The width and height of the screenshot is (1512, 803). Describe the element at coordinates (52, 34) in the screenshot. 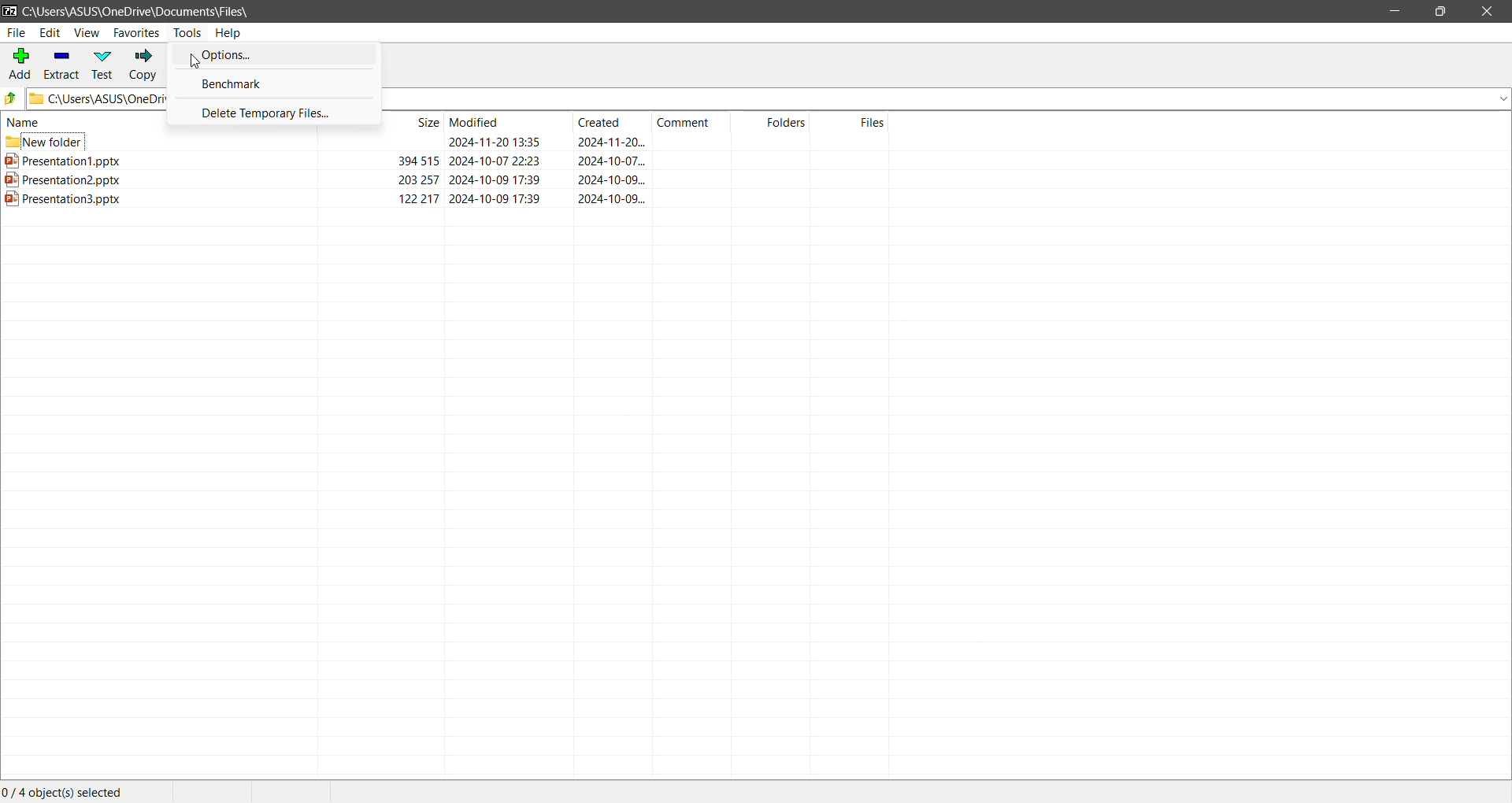

I see `Edit` at that location.